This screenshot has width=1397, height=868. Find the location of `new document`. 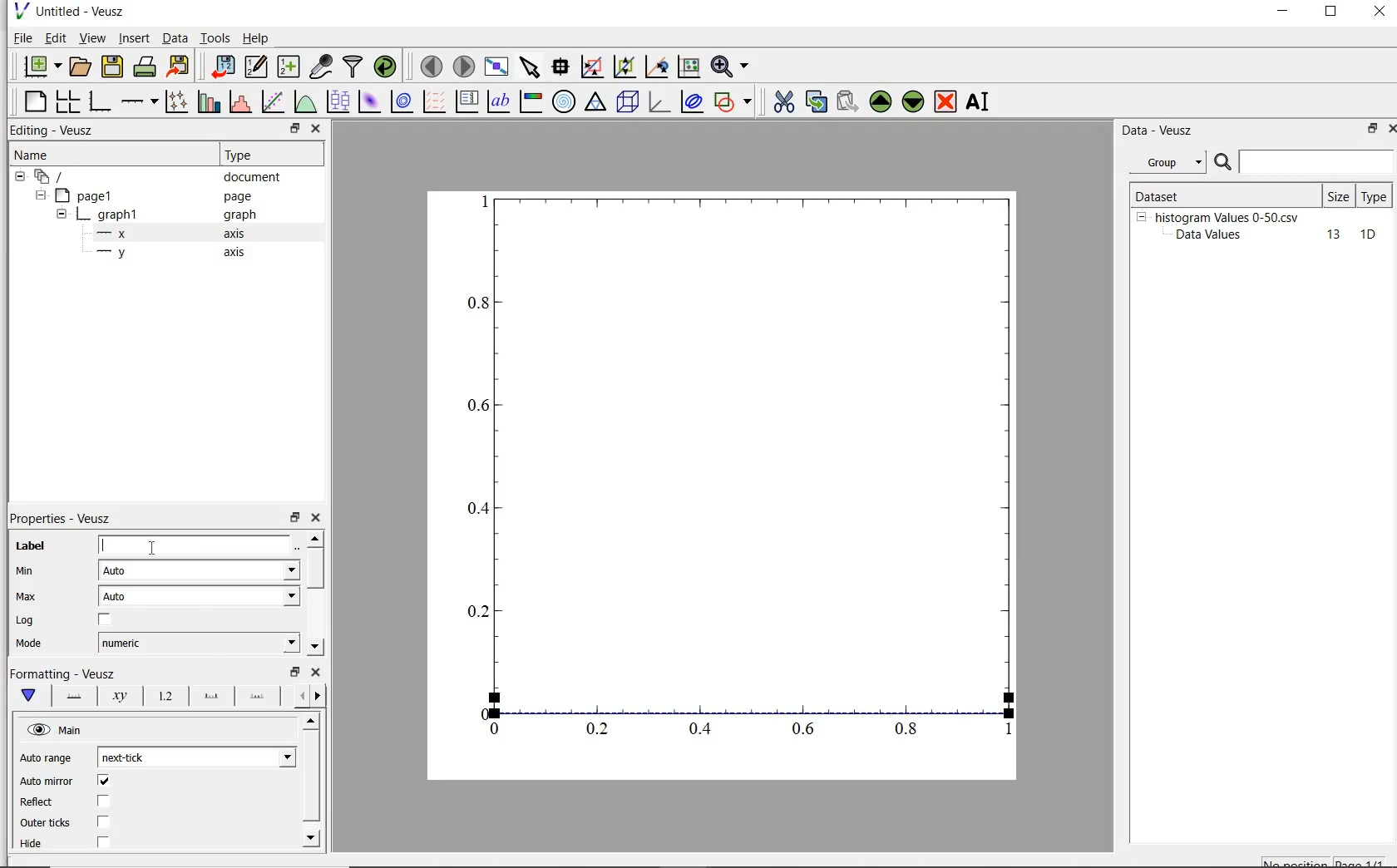

new document is located at coordinates (41, 66).